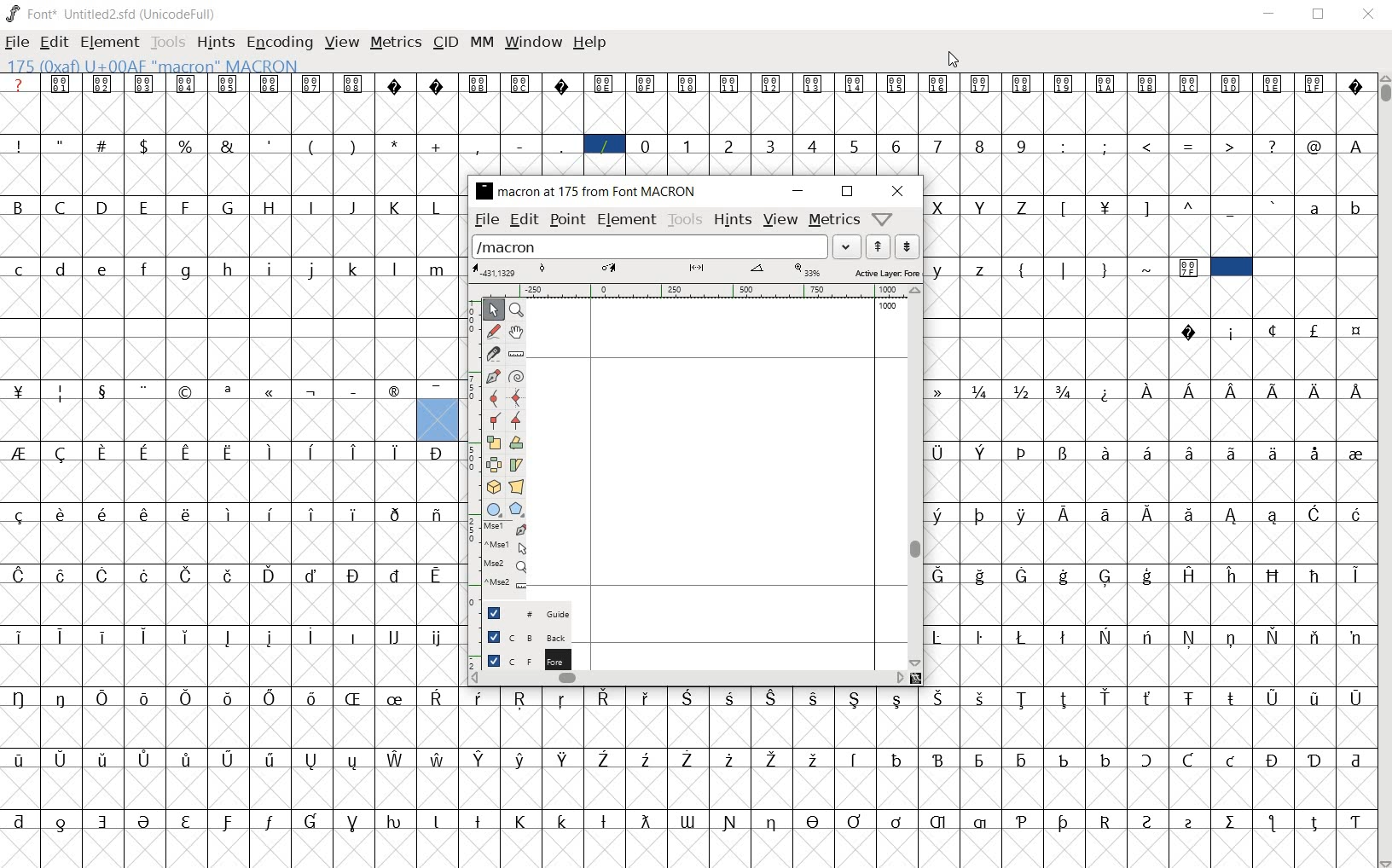 The height and width of the screenshot is (868, 1392). Describe the element at coordinates (230, 208) in the screenshot. I see `G` at that location.